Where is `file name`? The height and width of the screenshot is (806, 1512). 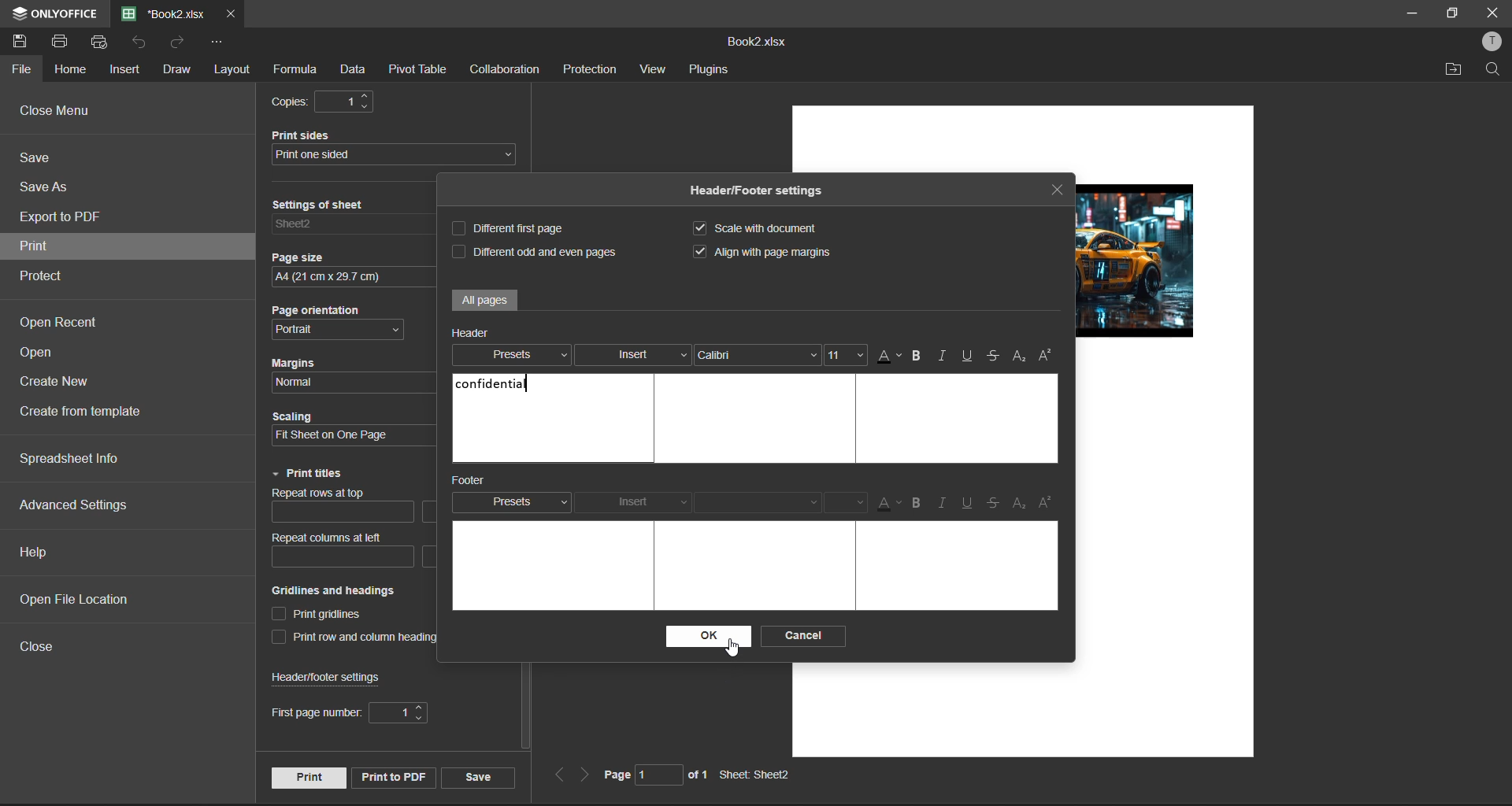
file name is located at coordinates (756, 40).